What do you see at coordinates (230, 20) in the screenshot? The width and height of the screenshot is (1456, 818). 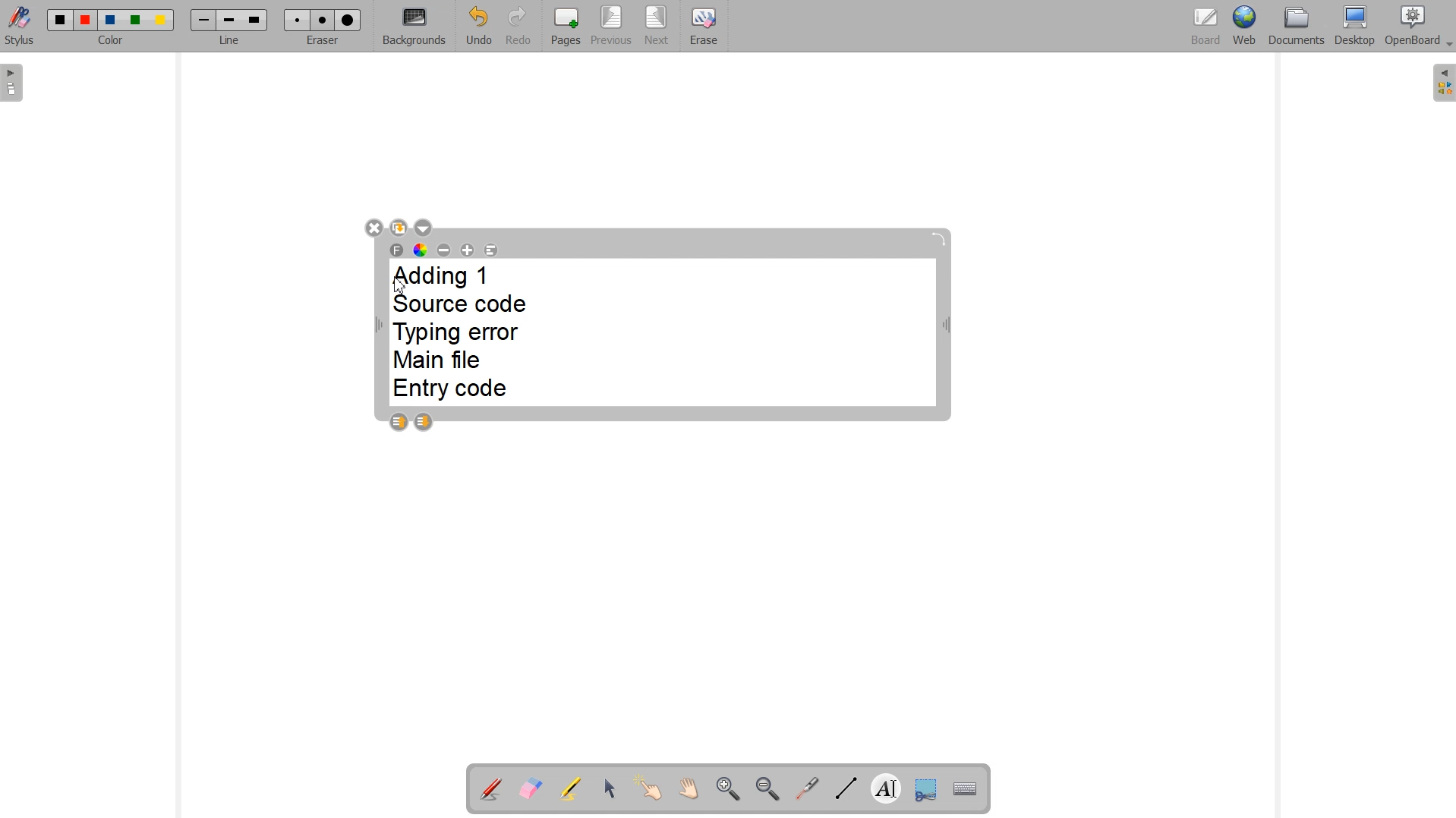 I see `Medium line` at bounding box center [230, 20].